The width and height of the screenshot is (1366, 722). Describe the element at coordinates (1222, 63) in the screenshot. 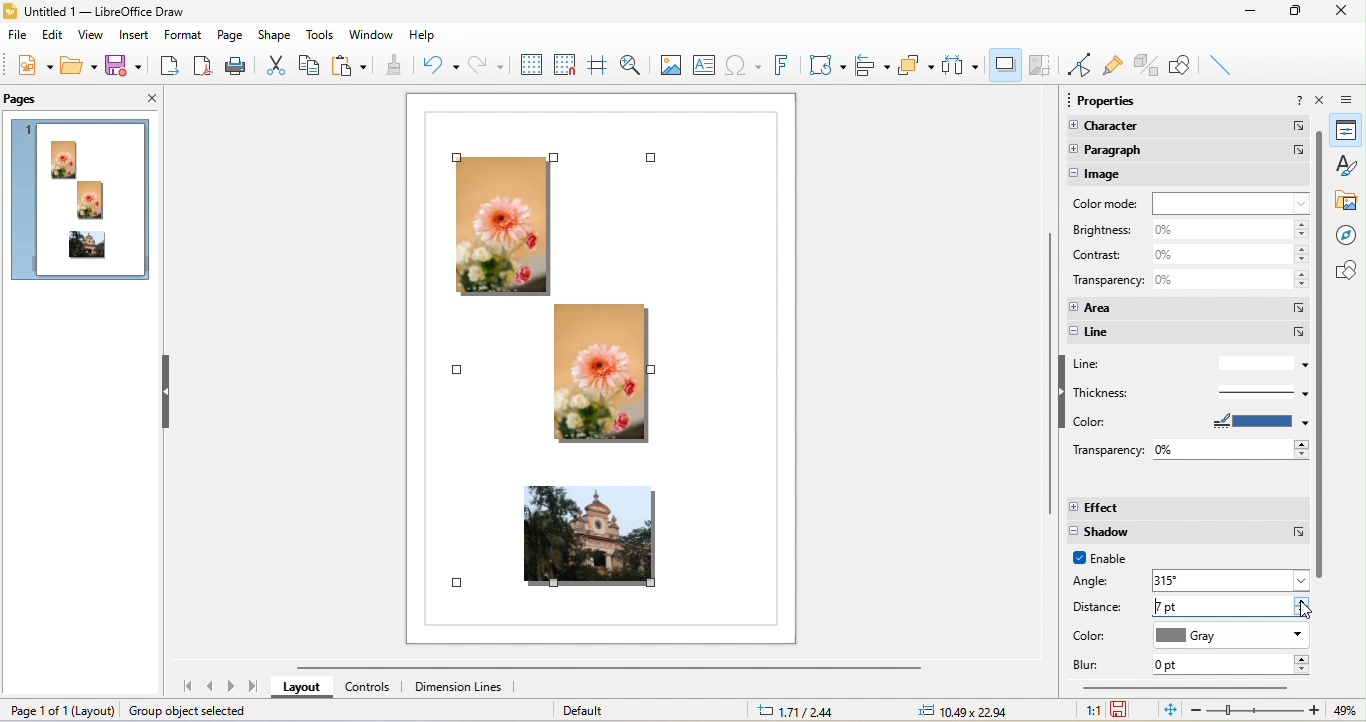

I see `insert line` at that location.